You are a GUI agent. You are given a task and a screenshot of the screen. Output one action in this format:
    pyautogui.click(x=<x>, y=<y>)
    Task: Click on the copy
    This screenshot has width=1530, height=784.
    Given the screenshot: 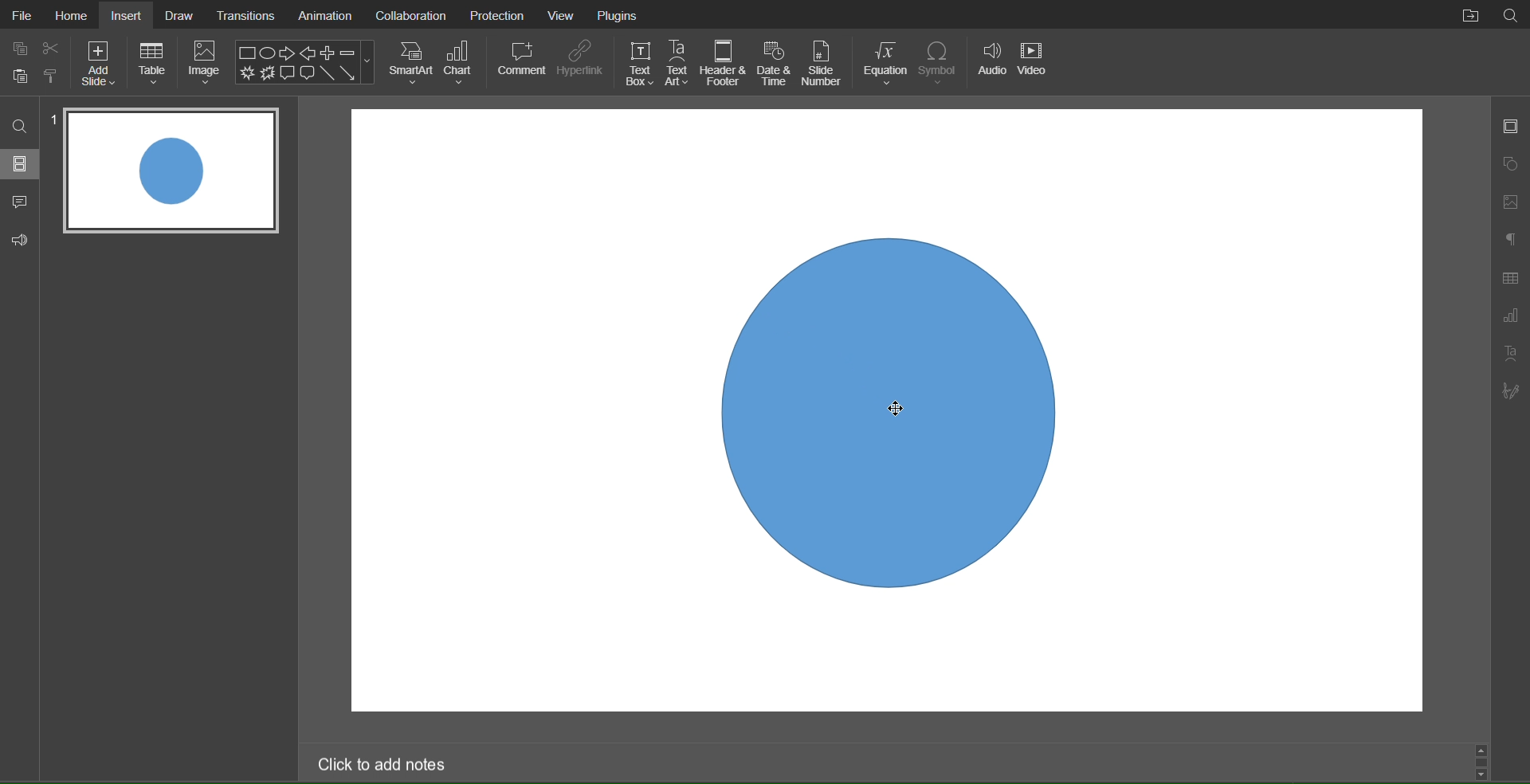 What is the action you would take?
    pyautogui.click(x=23, y=78)
    